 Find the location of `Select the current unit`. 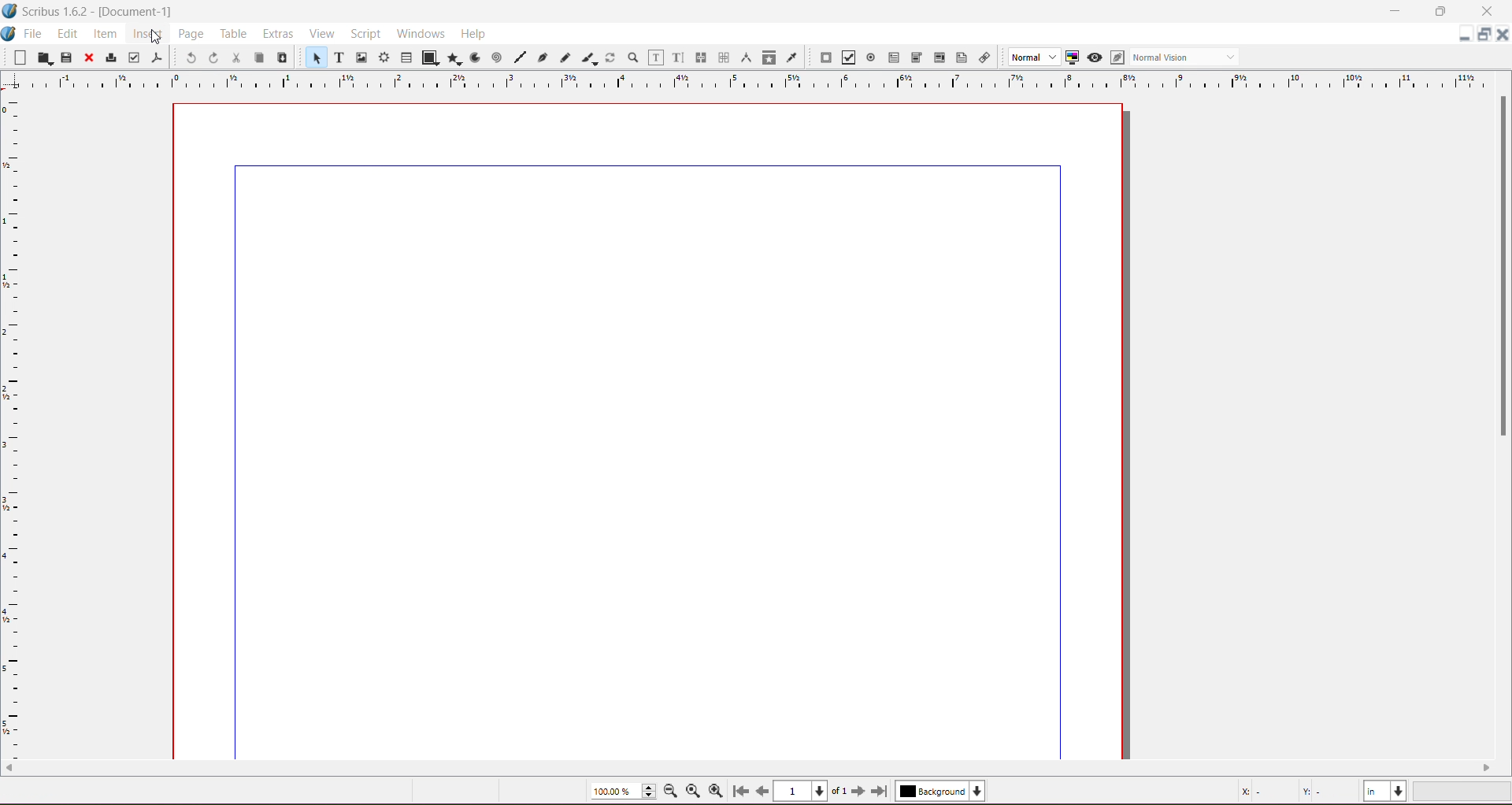

Select the current unit is located at coordinates (1385, 792).